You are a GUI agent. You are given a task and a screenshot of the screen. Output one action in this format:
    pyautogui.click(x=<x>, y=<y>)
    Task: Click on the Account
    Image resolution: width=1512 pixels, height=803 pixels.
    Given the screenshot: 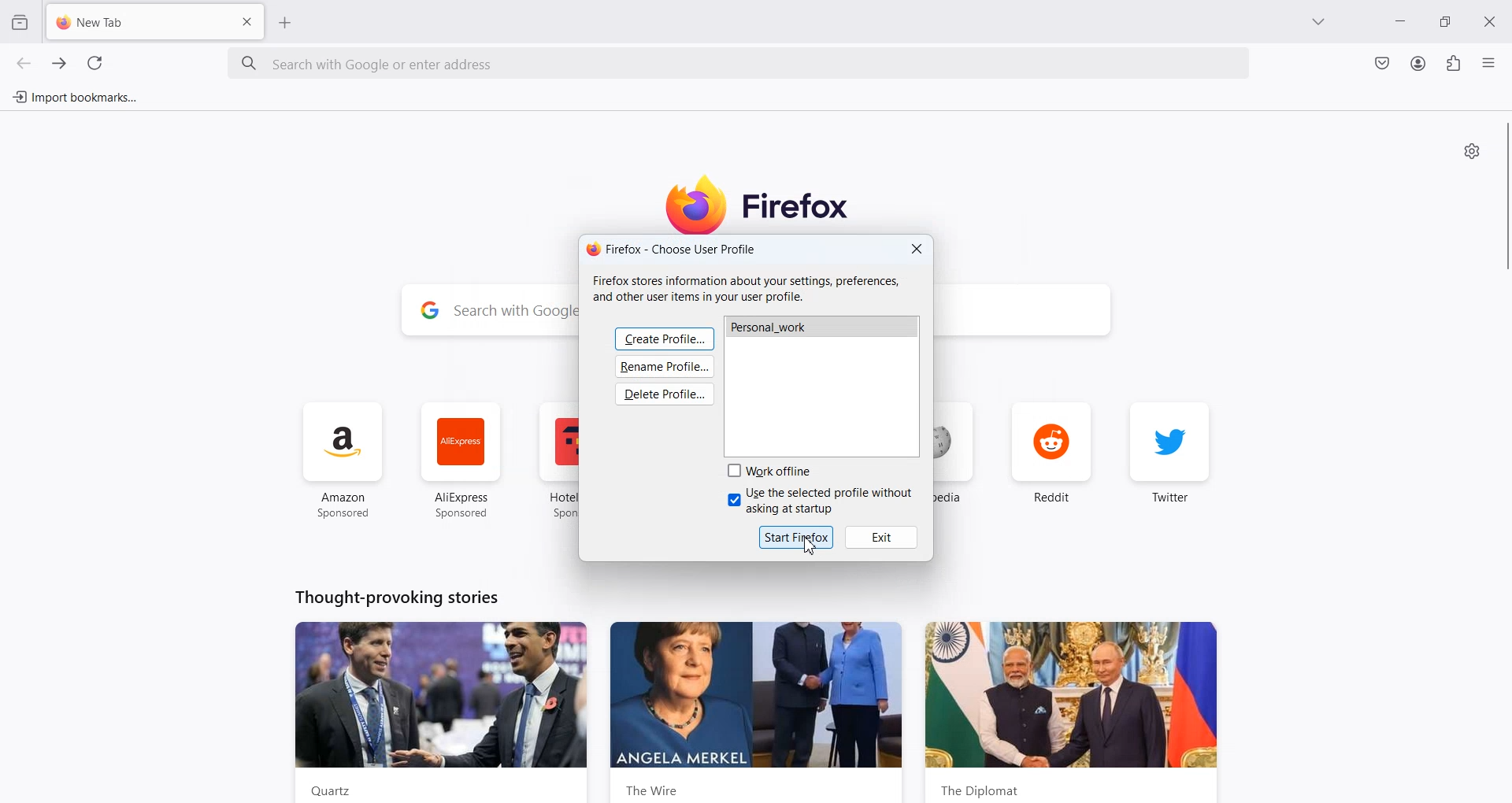 What is the action you would take?
    pyautogui.click(x=1418, y=63)
    